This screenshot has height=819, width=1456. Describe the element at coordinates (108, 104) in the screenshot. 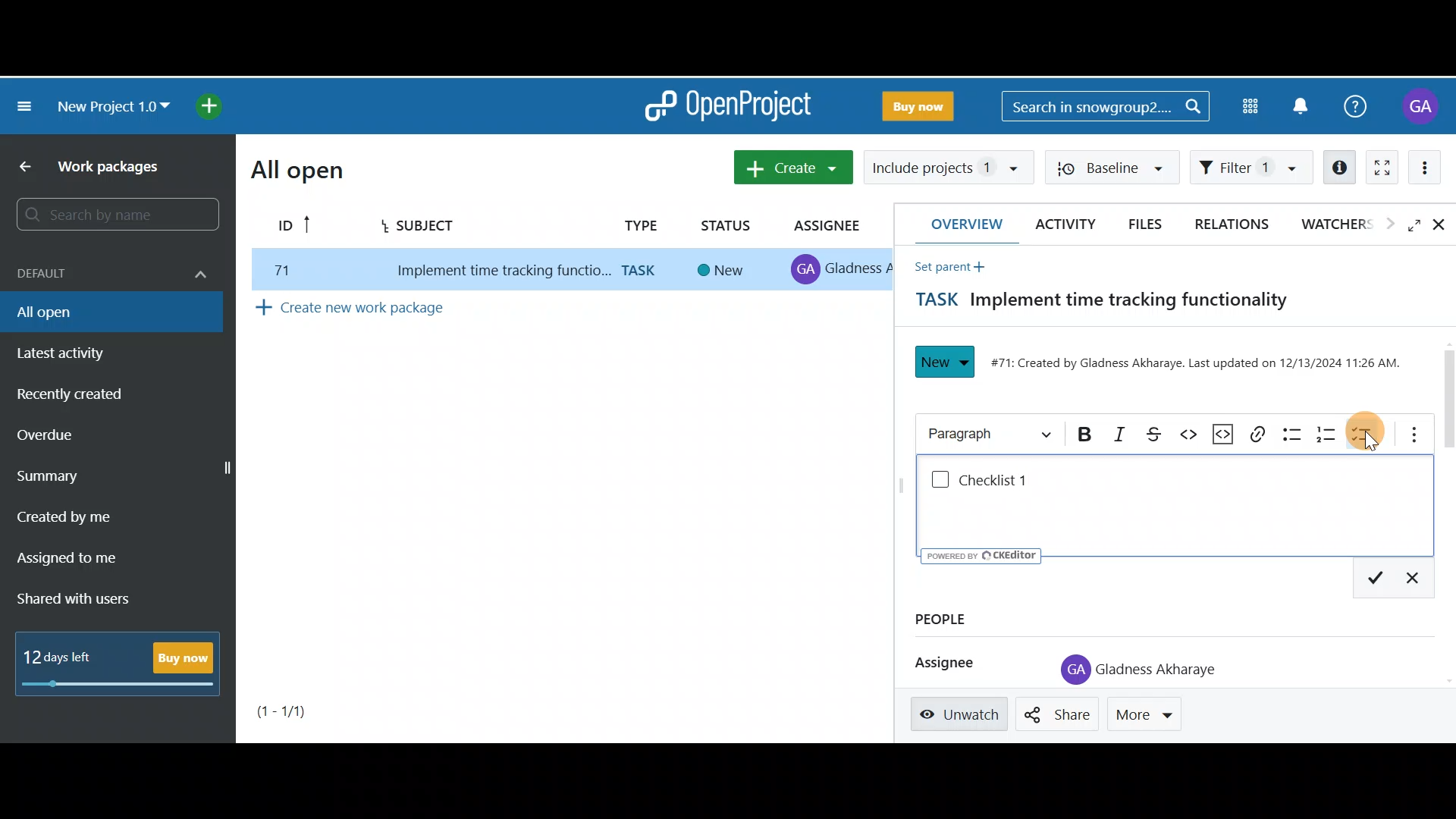

I see `New project 1.0` at that location.